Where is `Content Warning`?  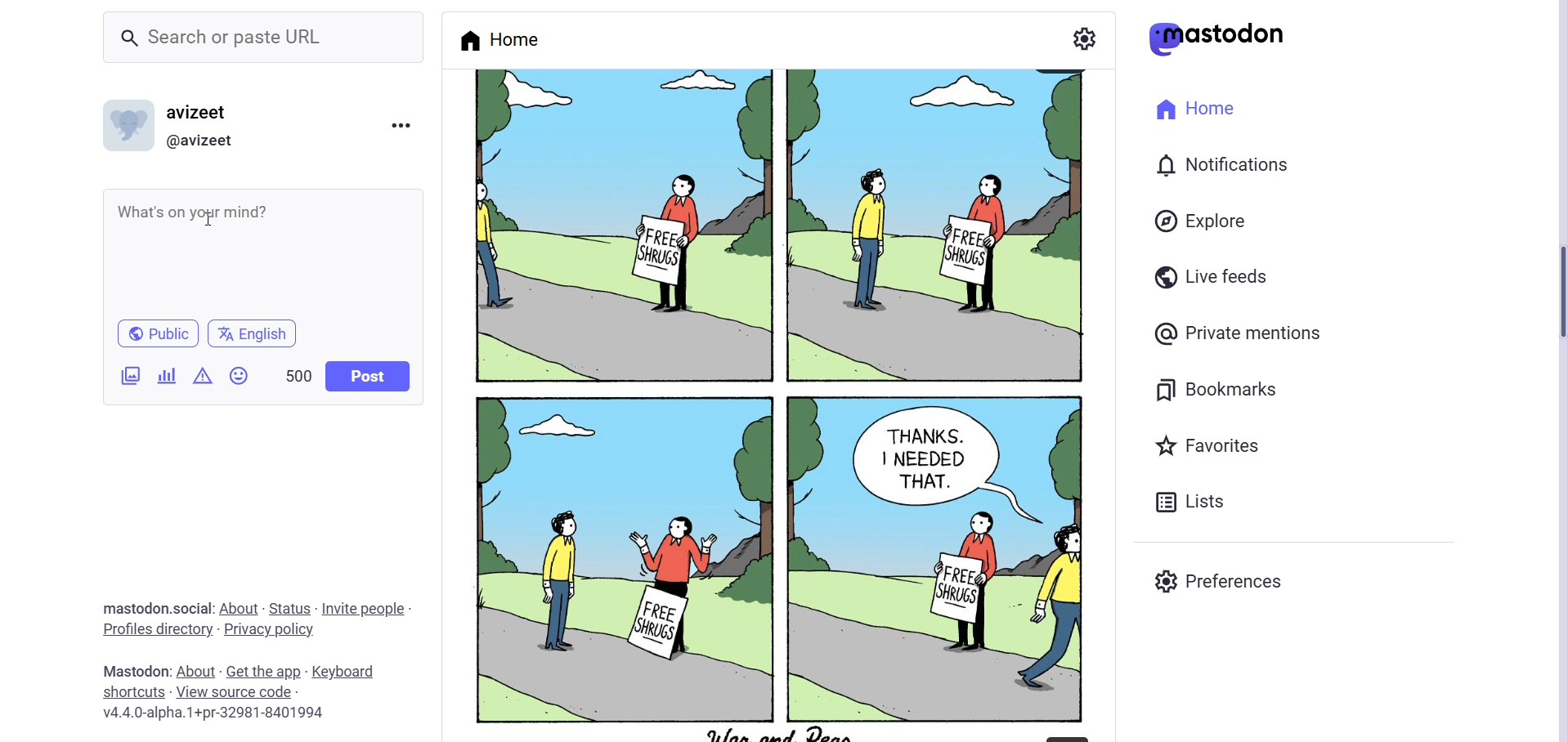
Content Warning is located at coordinates (203, 378).